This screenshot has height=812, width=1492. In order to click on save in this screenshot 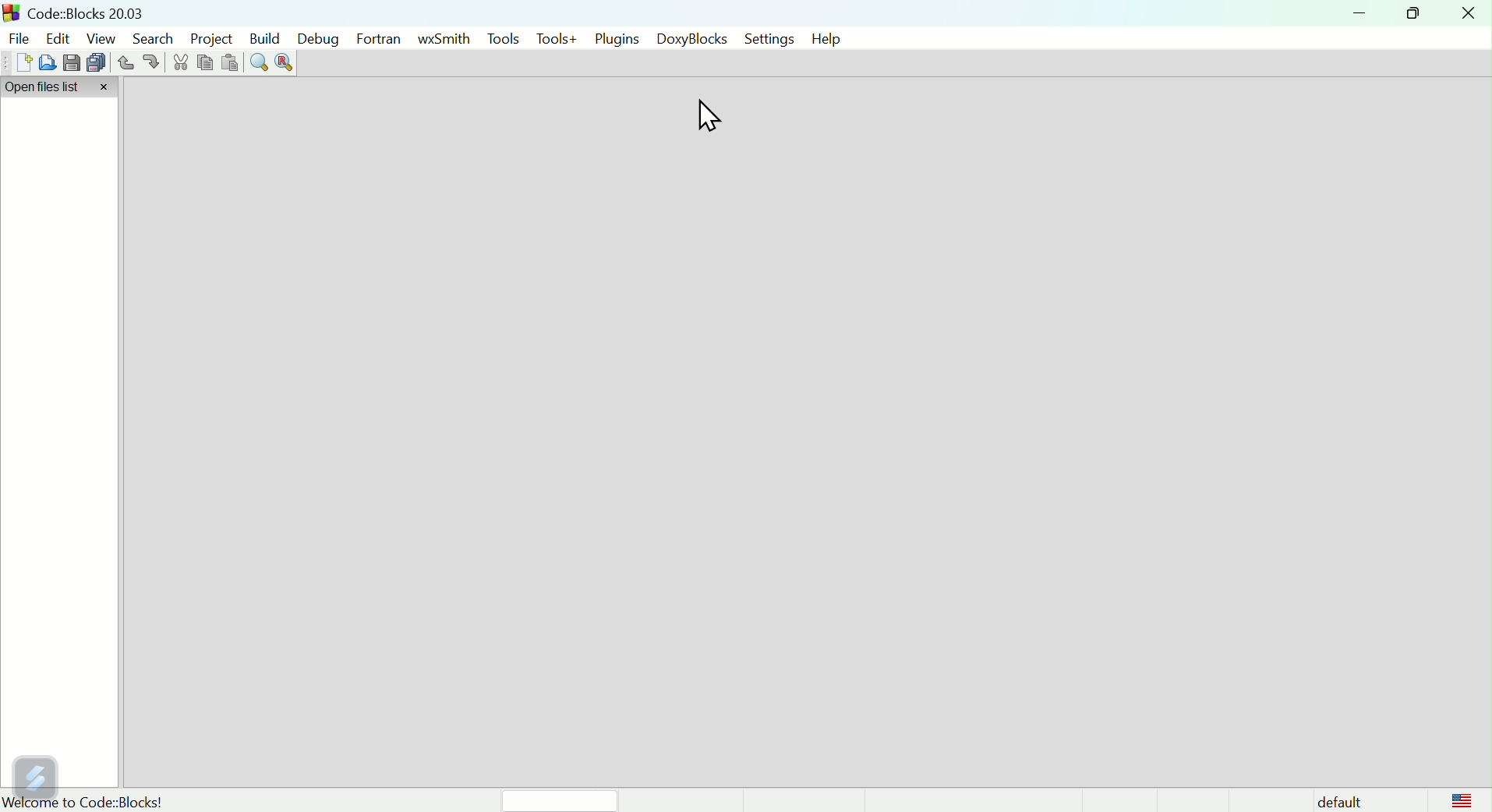, I will do `click(69, 61)`.